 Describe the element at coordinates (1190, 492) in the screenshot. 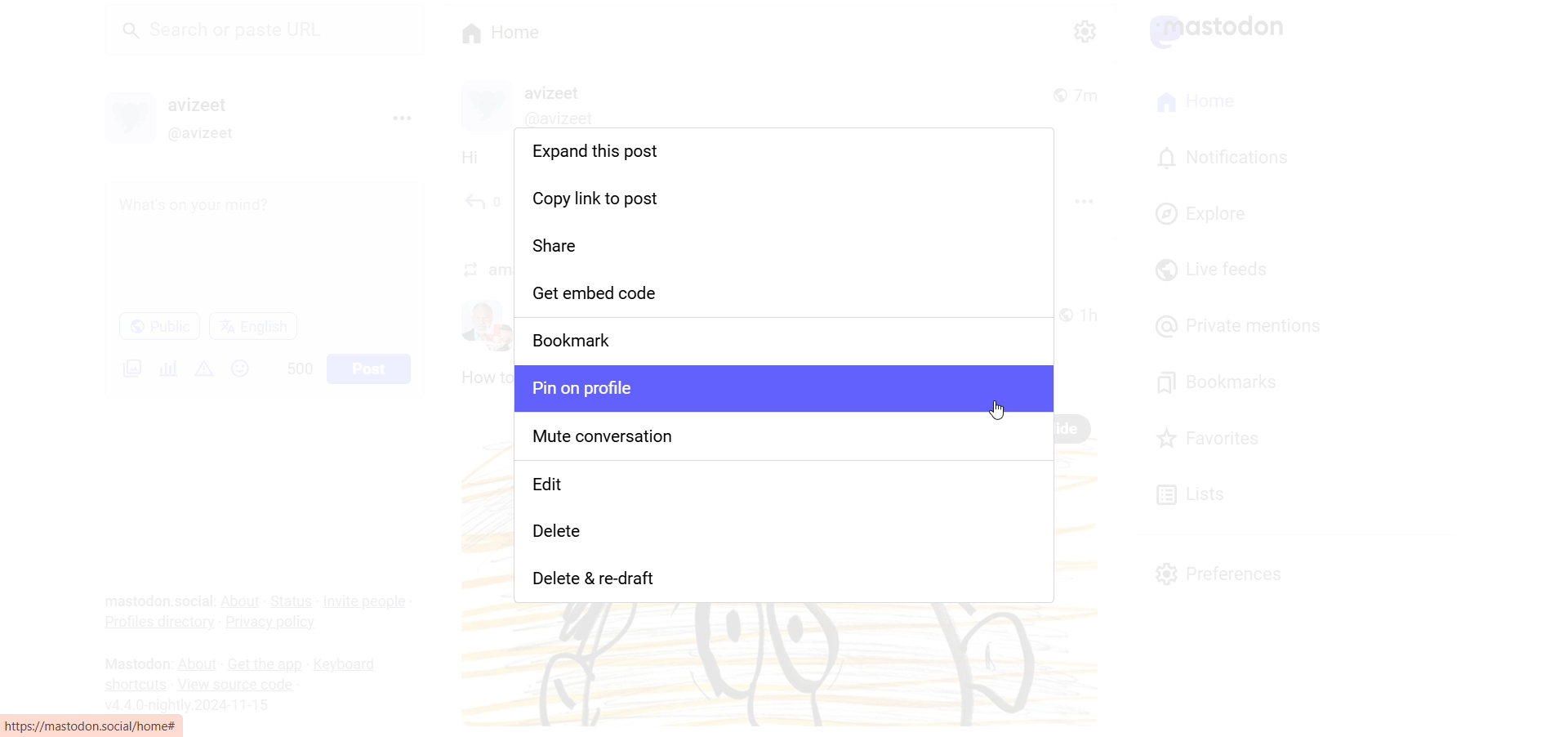

I see `Lists` at that location.